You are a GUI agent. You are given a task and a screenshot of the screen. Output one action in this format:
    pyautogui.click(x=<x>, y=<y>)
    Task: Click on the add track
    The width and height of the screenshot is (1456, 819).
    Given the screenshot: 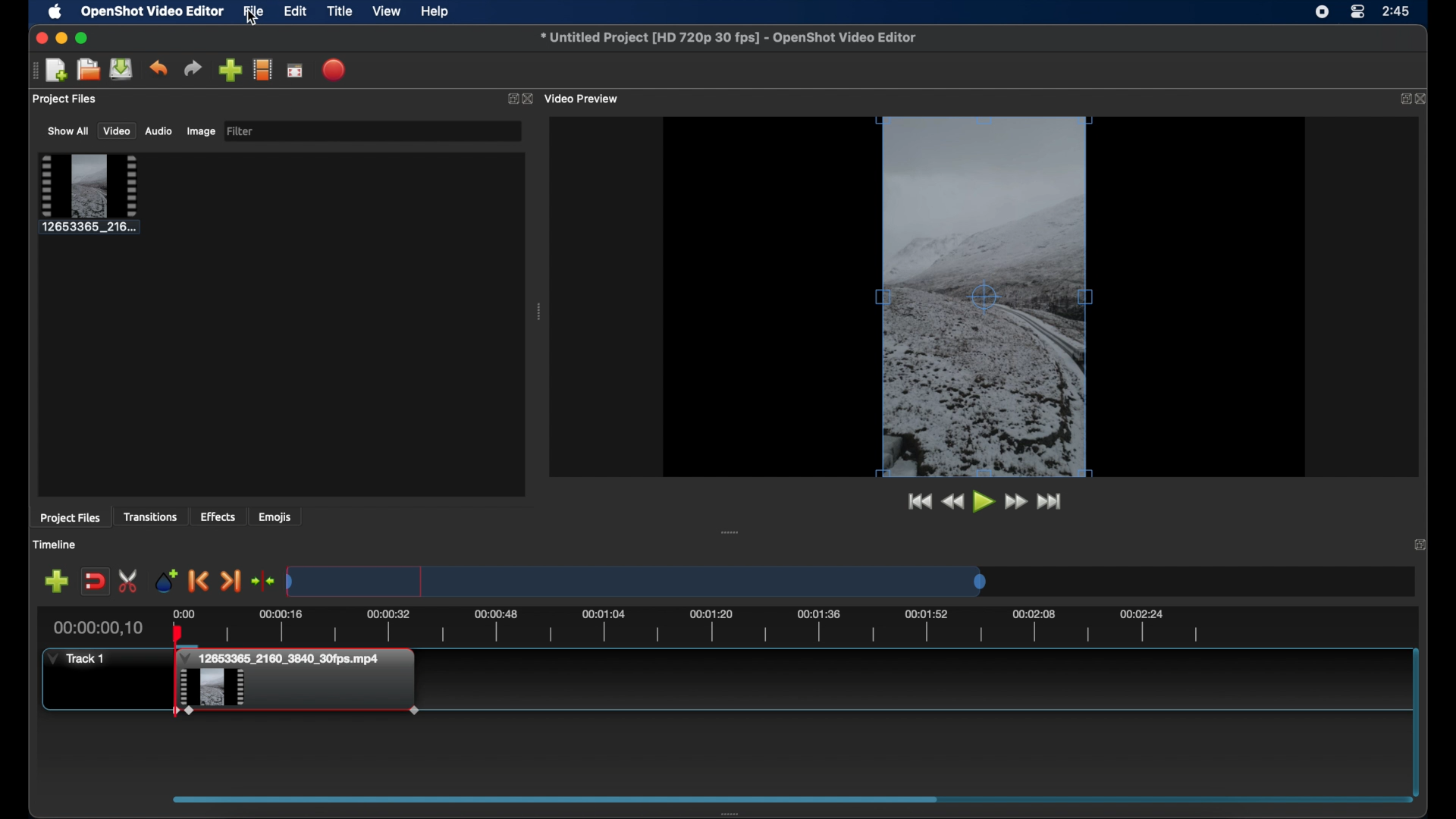 What is the action you would take?
    pyautogui.click(x=56, y=582)
    